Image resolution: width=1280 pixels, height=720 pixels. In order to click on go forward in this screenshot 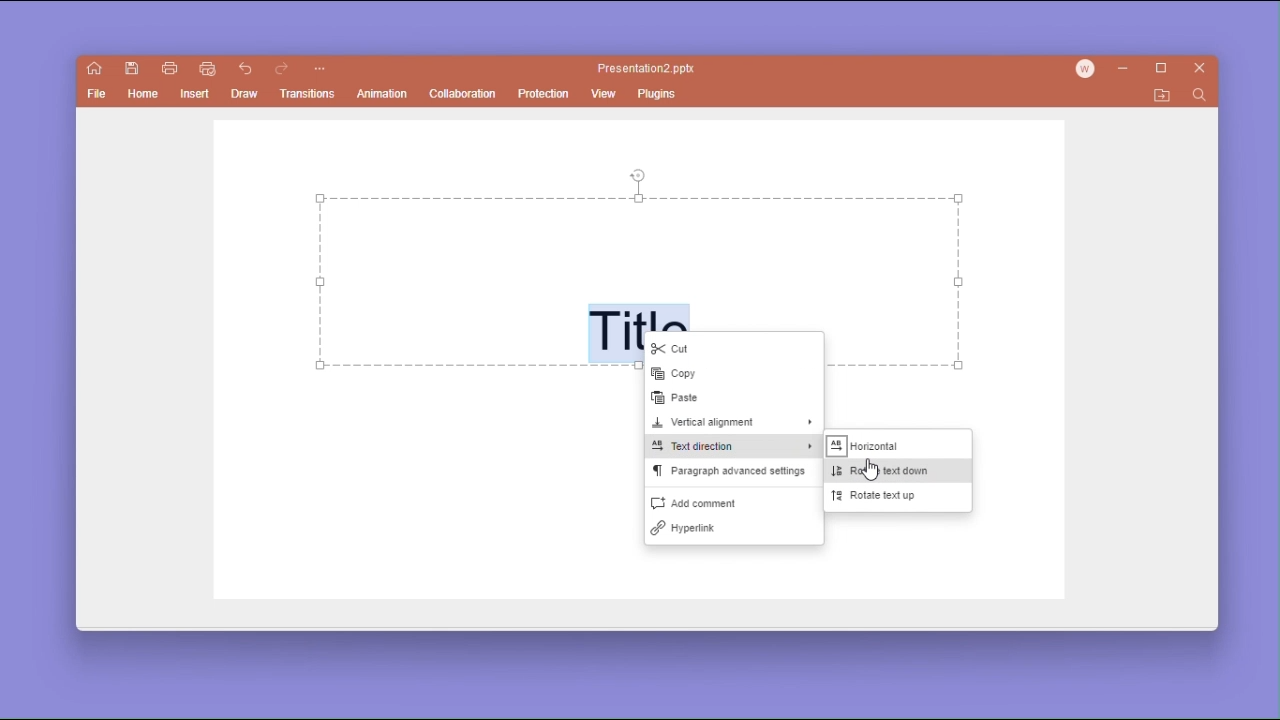, I will do `click(282, 70)`.